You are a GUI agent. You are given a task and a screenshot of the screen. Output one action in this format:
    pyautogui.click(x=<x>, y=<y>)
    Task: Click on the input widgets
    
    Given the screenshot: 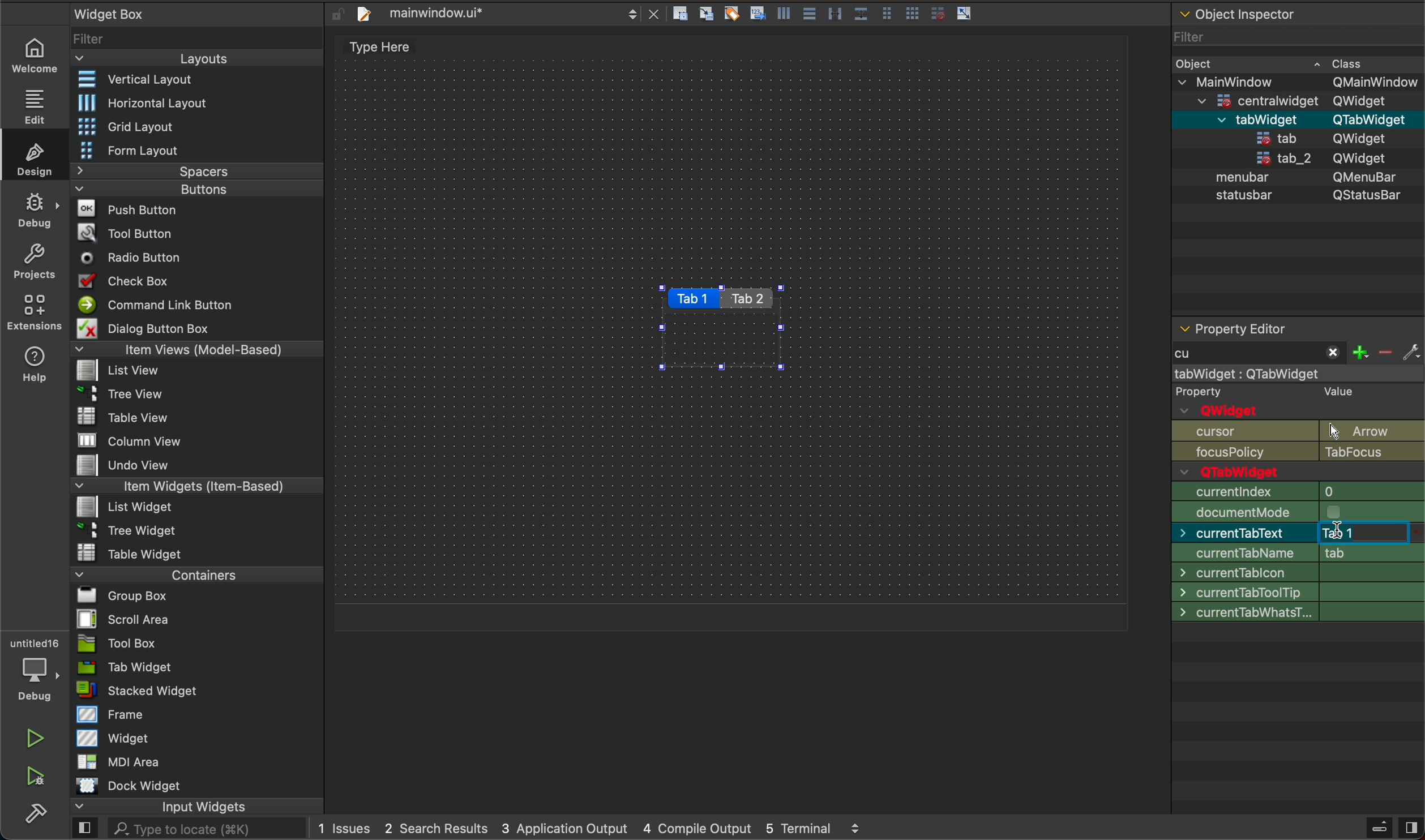 What is the action you would take?
    pyautogui.click(x=199, y=808)
    